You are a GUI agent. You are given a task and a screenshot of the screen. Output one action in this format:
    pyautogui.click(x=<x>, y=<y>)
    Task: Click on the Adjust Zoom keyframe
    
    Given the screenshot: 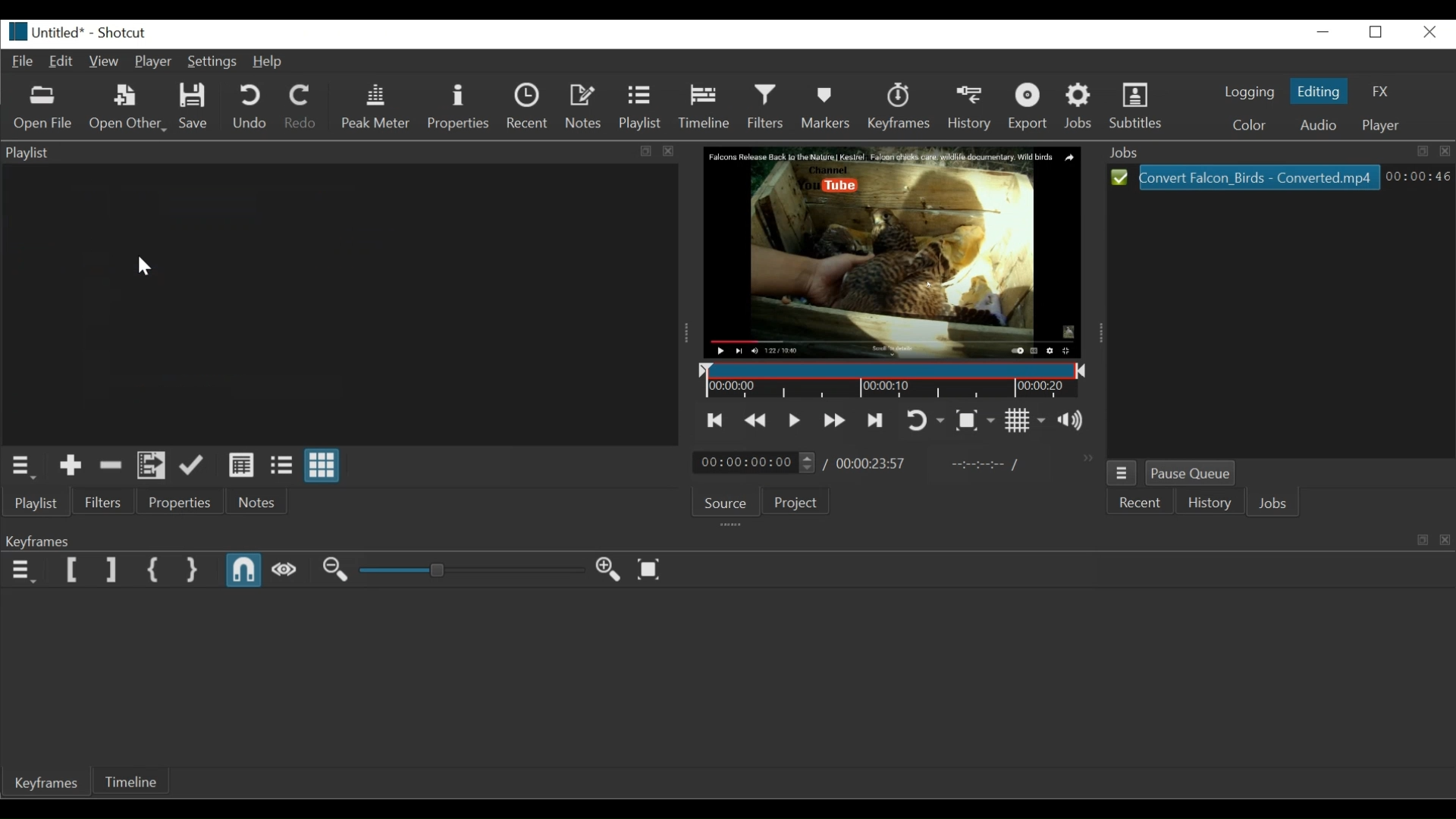 What is the action you would take?
    pyautogui.click(x=470, y=570)
    